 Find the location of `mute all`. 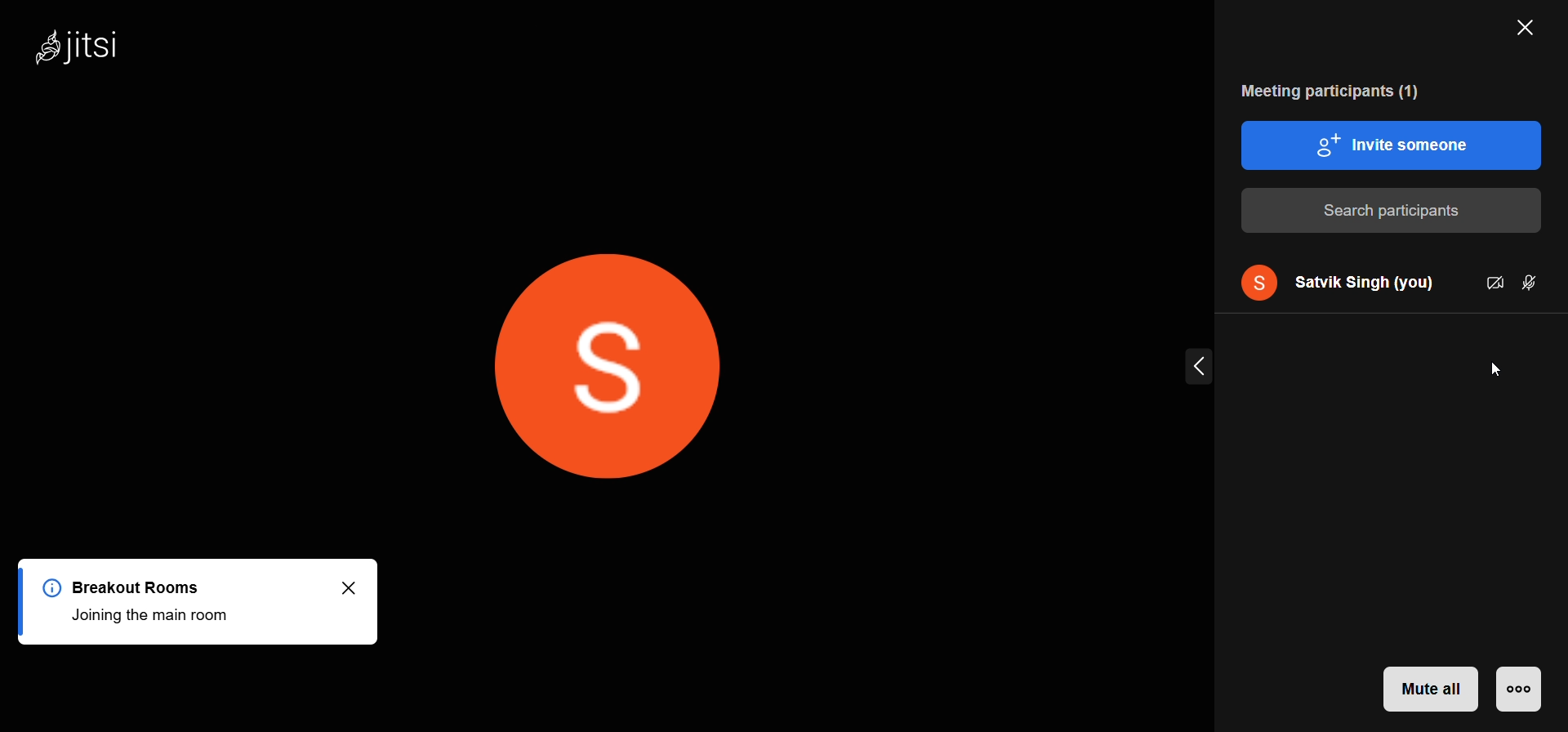

mute all is located at coordinates (1430, 690).